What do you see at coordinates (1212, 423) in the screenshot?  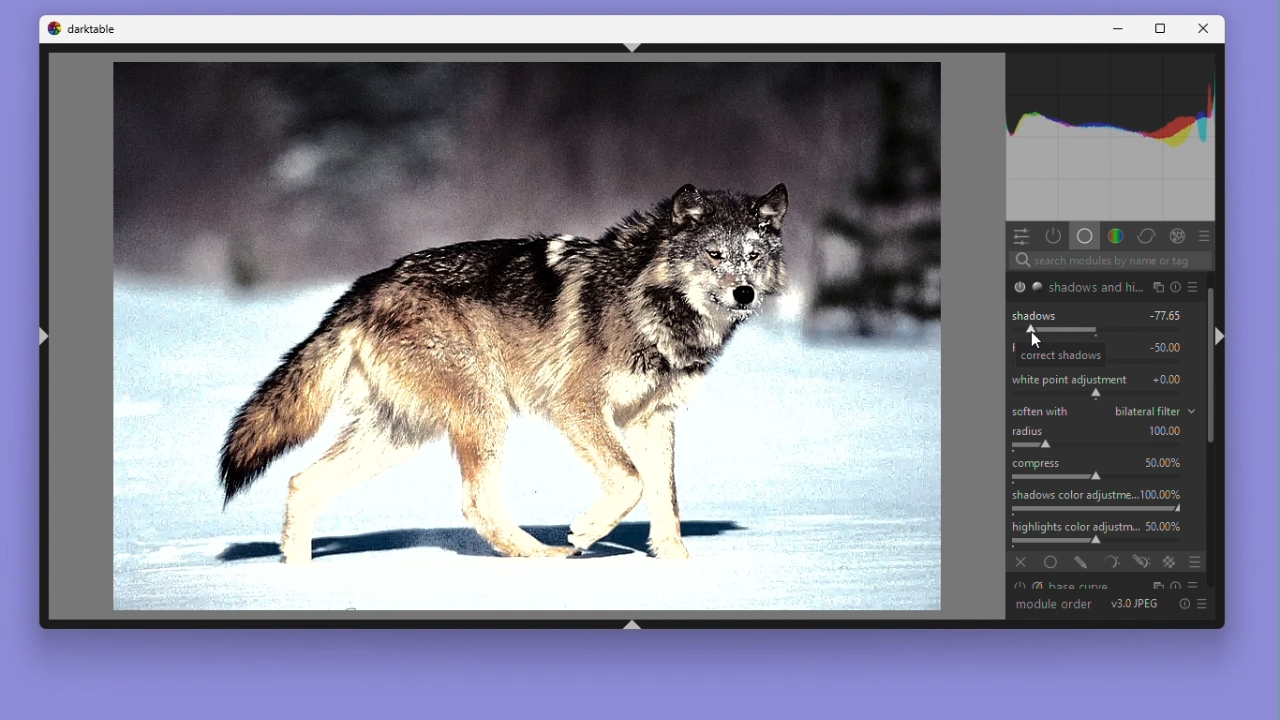 I see `Vertical scrollbar` at bounding box center [1212, 423].